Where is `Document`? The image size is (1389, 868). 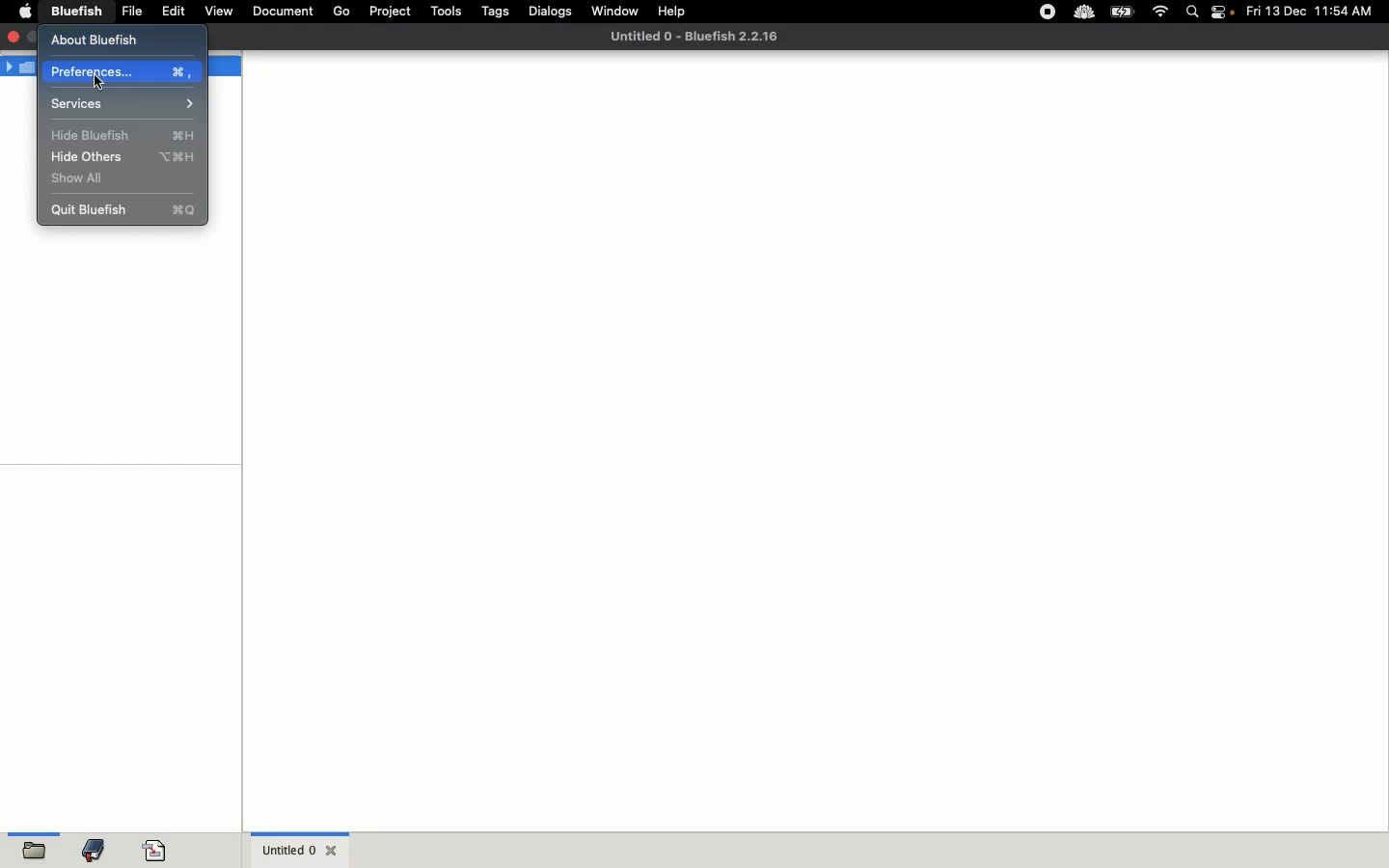
Document is located at coordinates (284, 13).